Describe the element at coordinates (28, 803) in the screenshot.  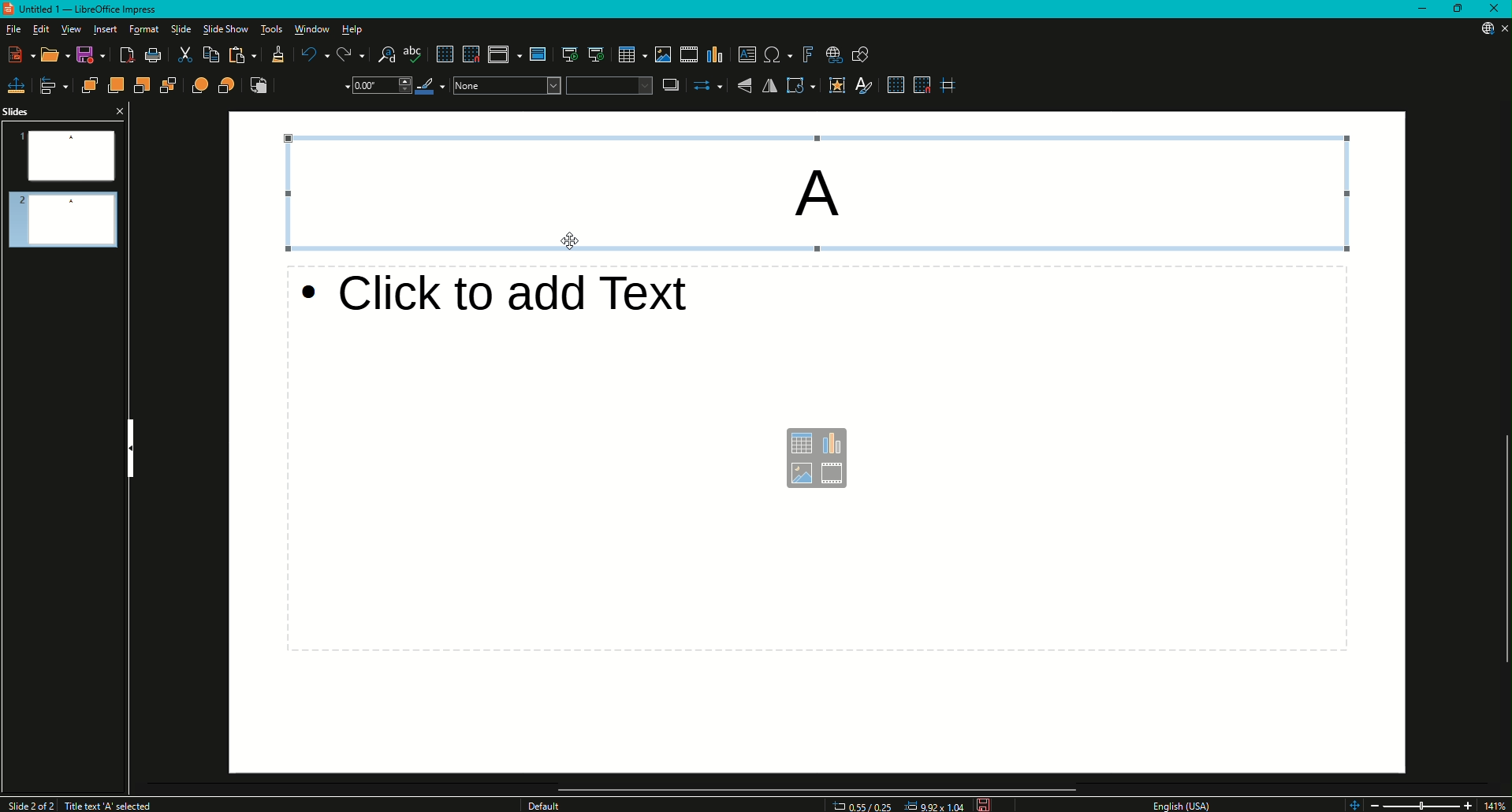
I see `Slide 1 of 2` at that location.